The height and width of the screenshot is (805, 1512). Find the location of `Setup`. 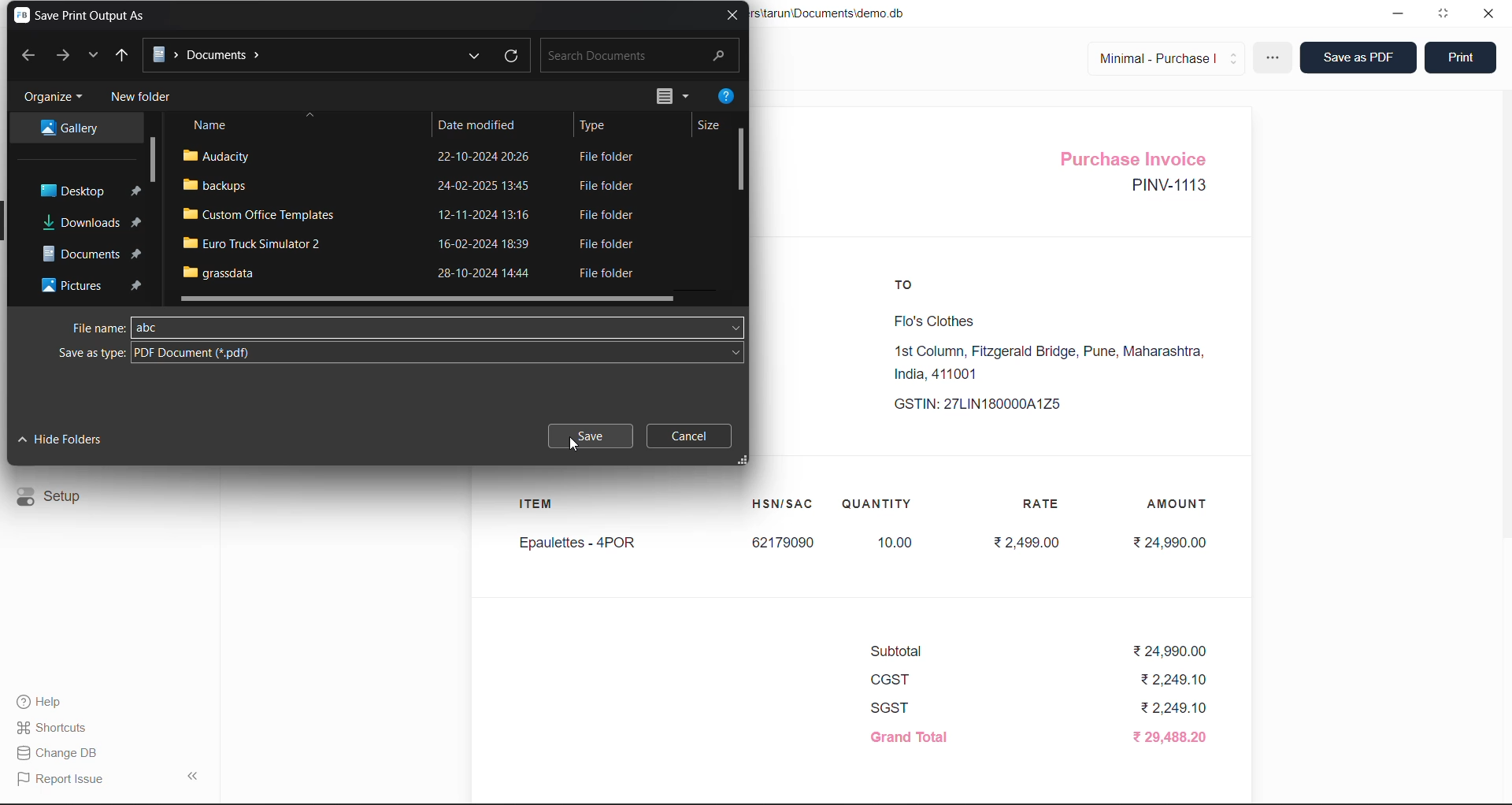

Setup is located at coordinates (57, 498).